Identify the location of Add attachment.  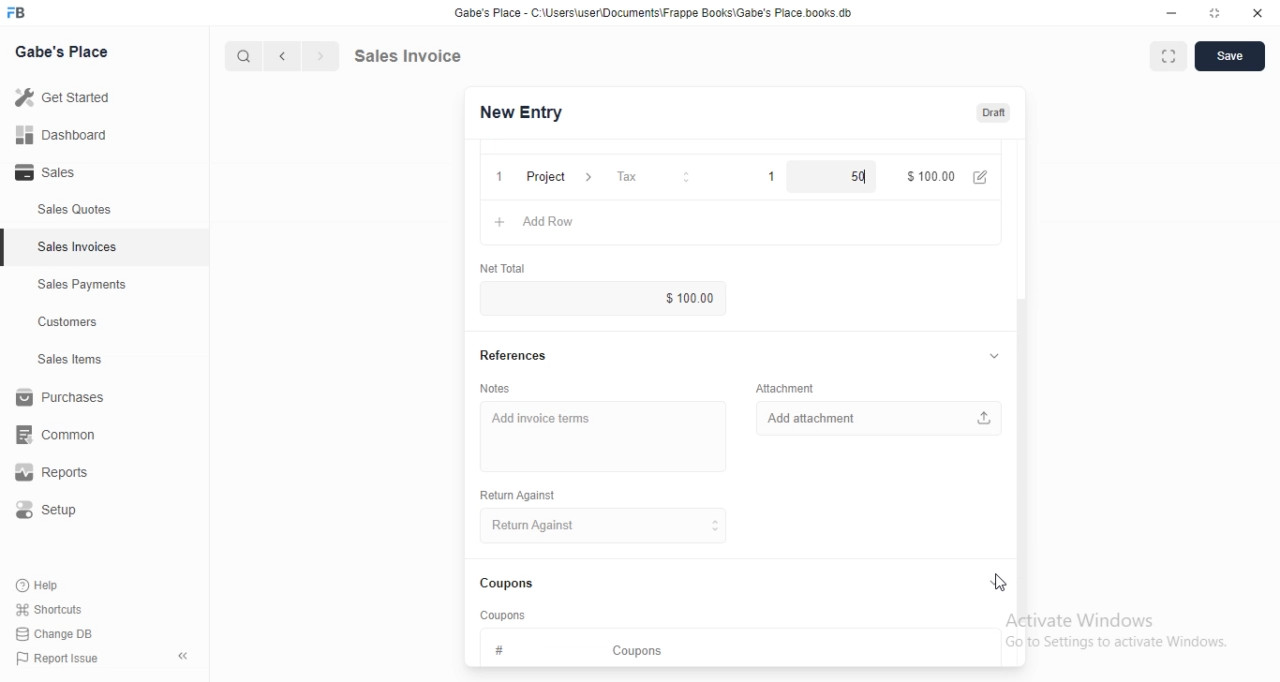
(879, 420).